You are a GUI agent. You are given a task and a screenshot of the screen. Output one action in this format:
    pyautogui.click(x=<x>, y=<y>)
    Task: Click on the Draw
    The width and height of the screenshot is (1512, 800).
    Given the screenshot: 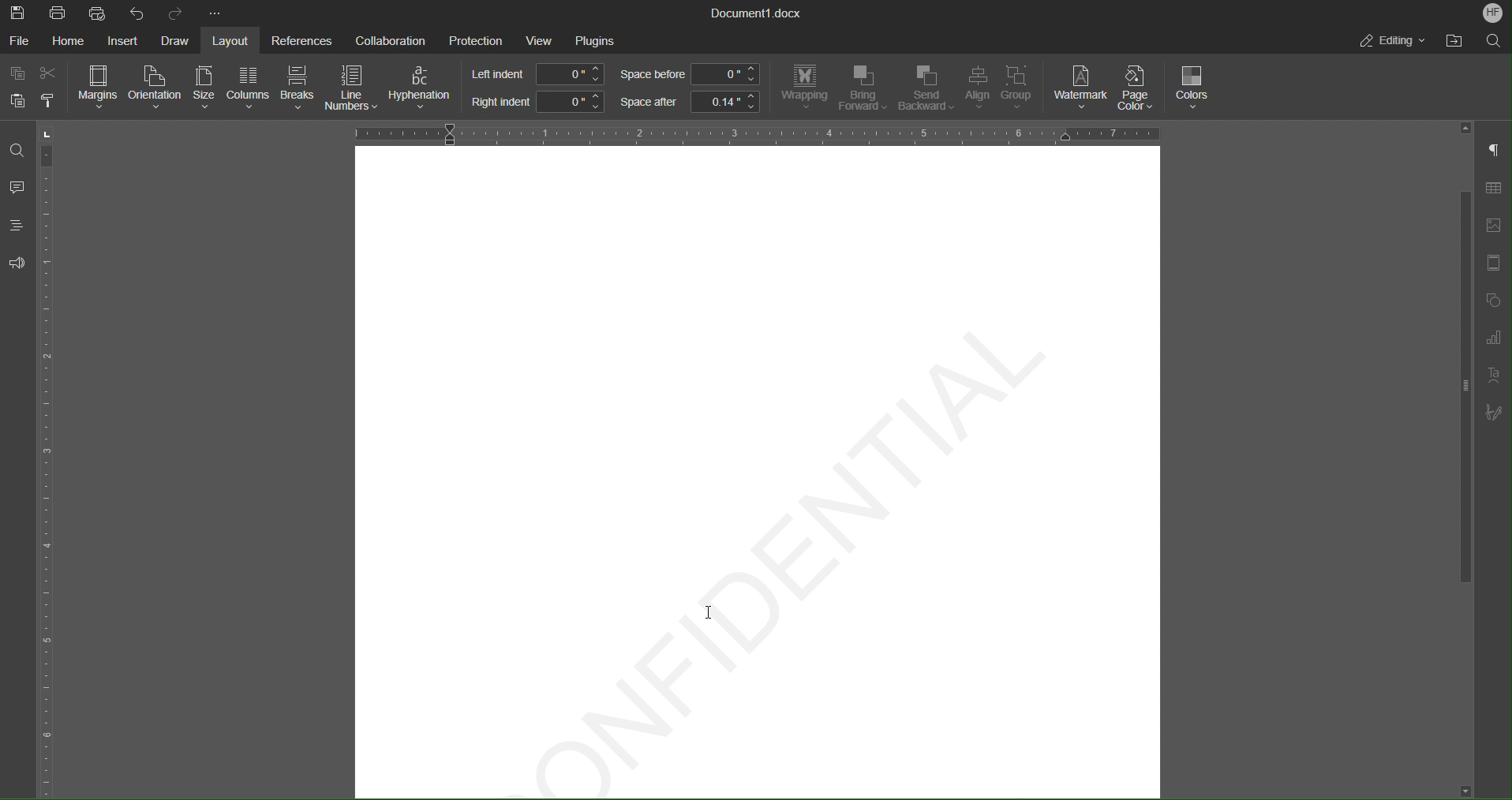 What is the action you would take?
    pyautogui.click(x=176, y=41)
    